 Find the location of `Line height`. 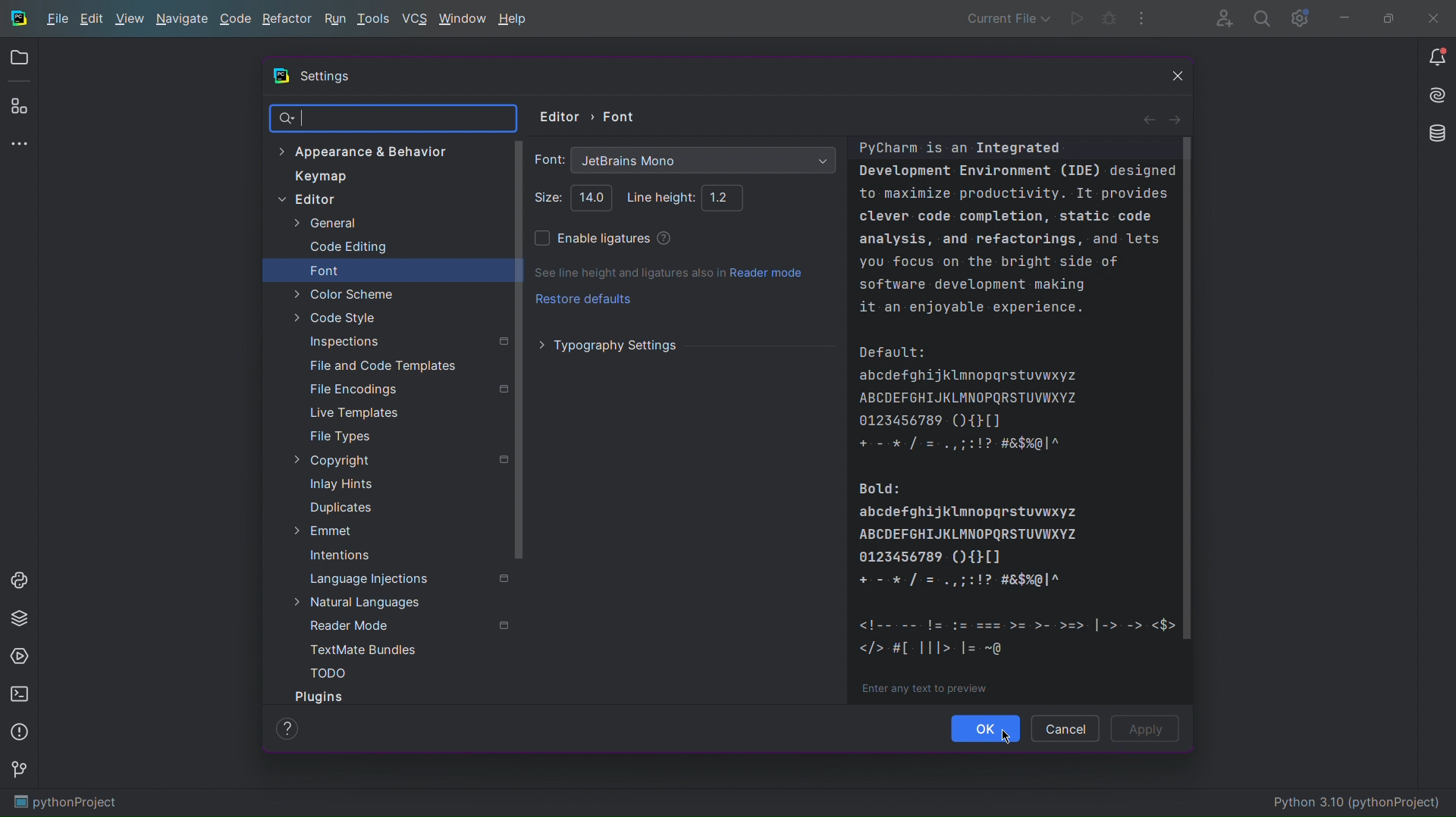

Line height is located at coordinates (659, 197).